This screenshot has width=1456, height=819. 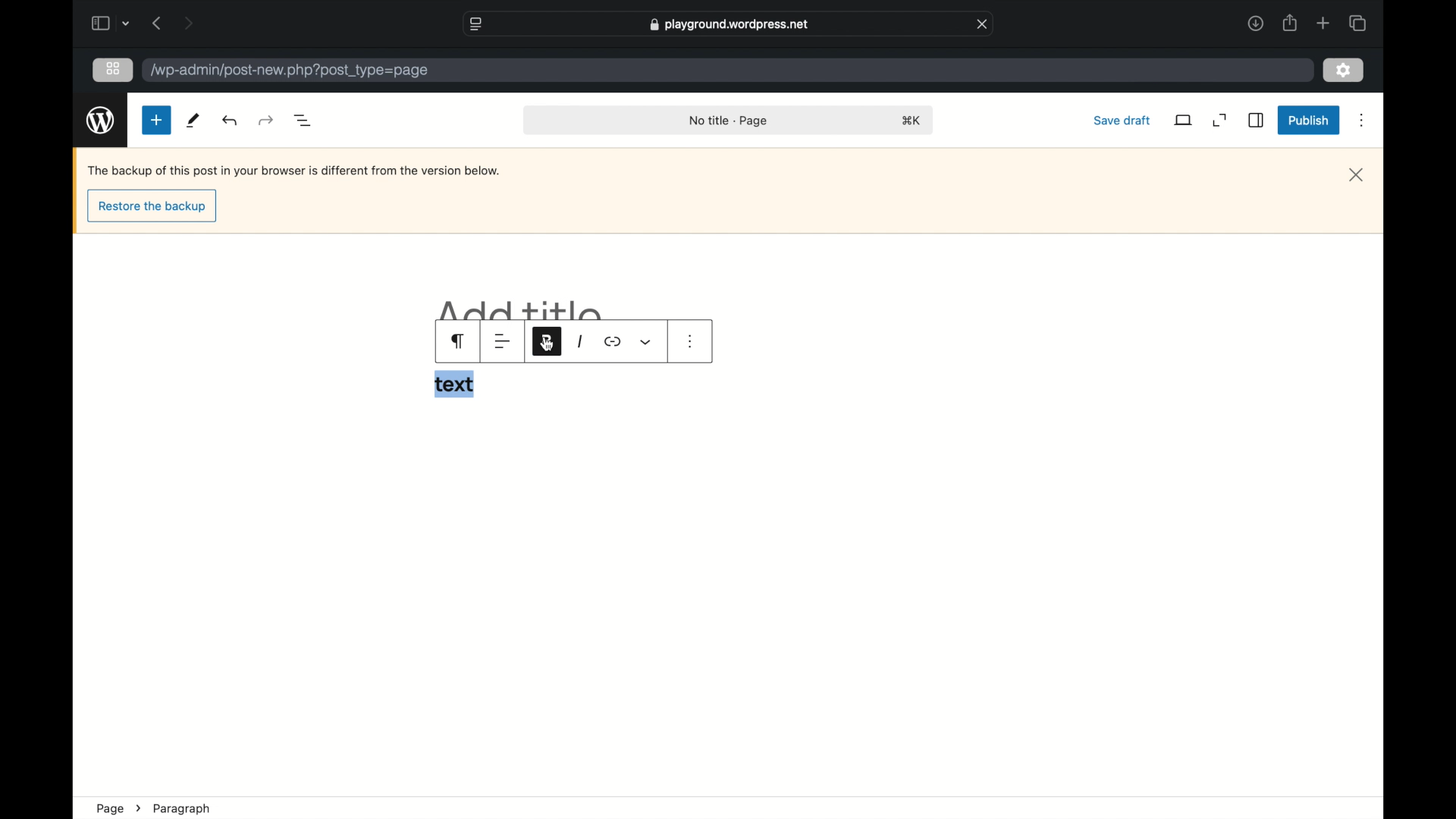 I want to click on icon, so click(x=613, y=342).